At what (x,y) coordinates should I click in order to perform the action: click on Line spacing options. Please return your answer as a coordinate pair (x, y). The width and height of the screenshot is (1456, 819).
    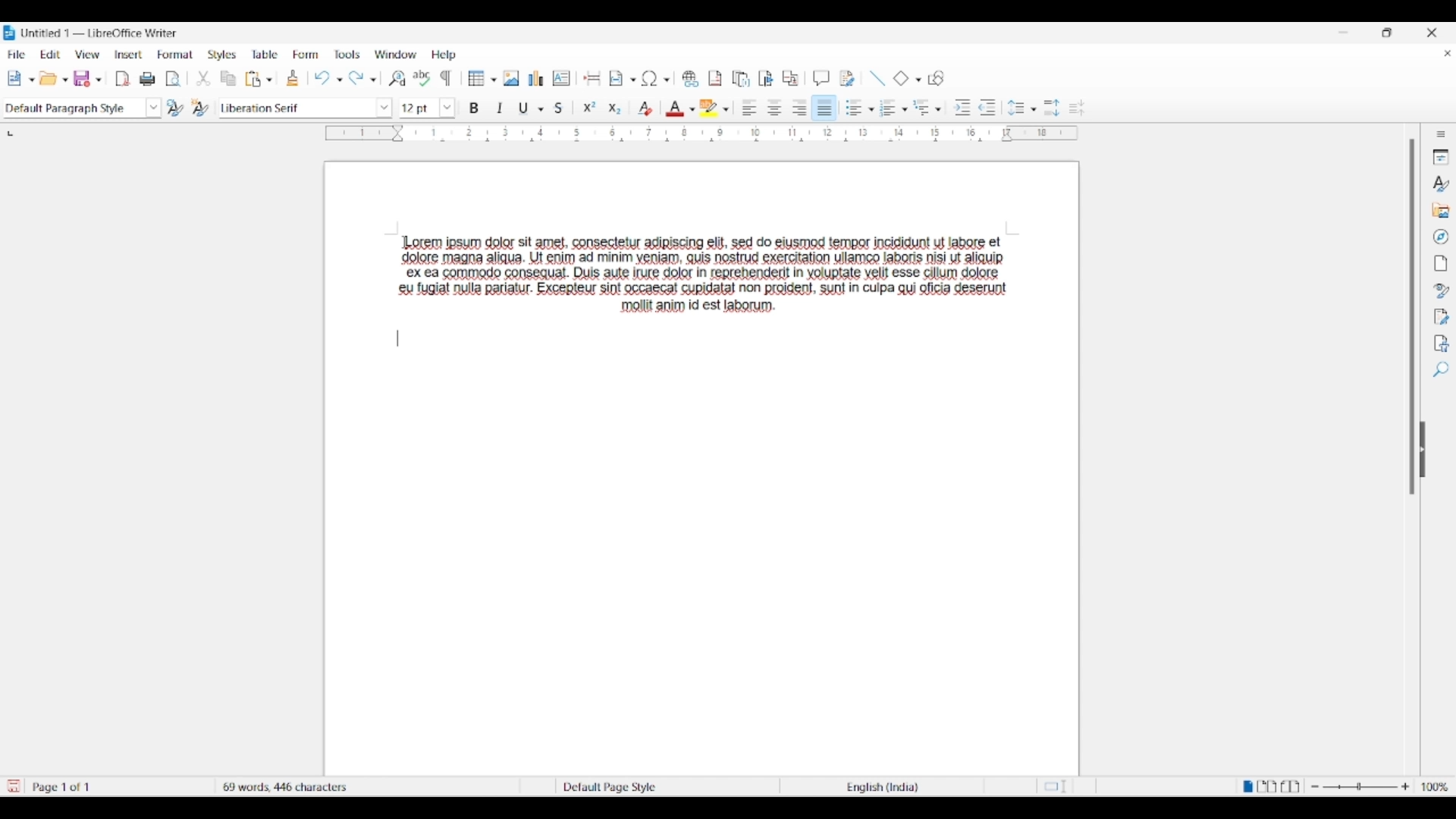
    Looking at the image, I should click on (1034, 110).